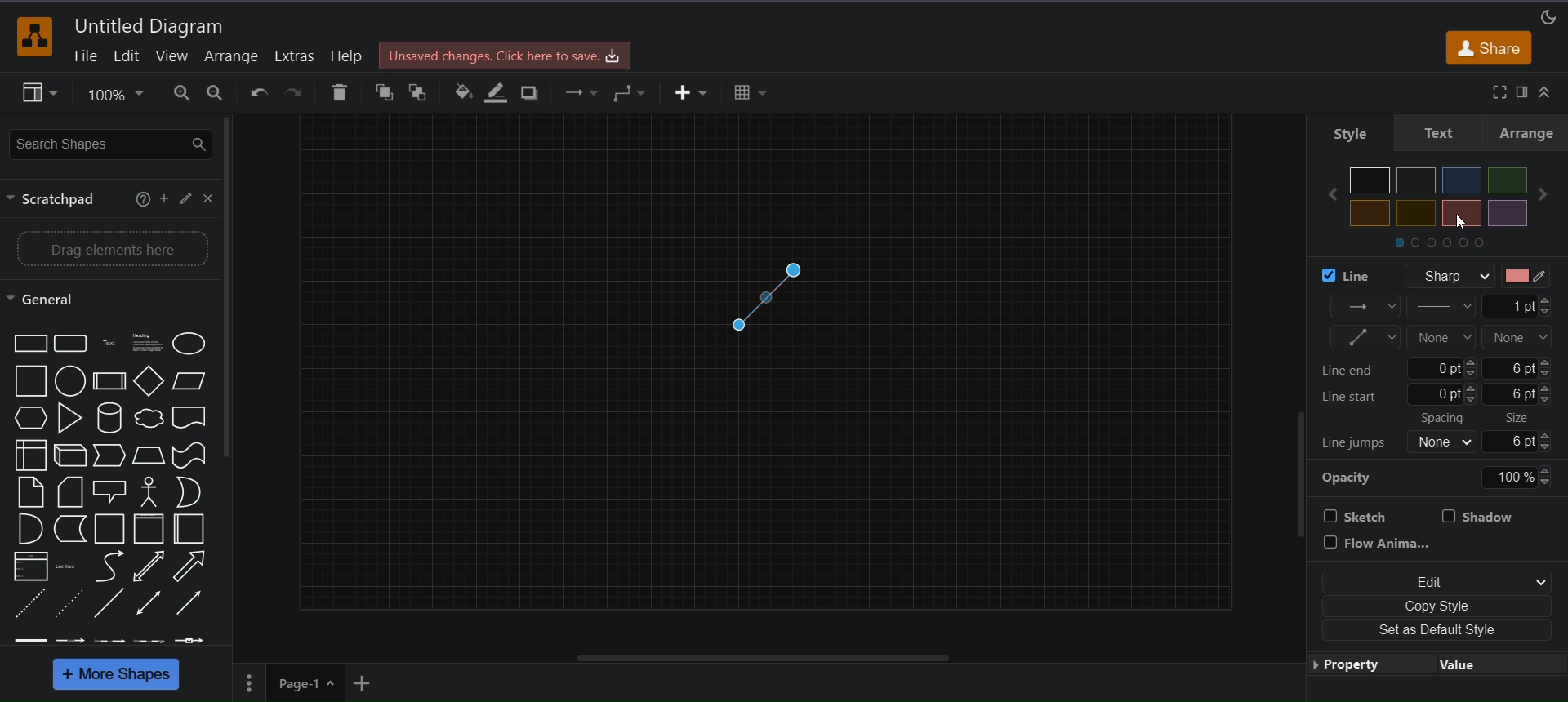 Image resolution: width=1568 pixels, height=702 pixels. Describe the element at coordinates (346, 55) in the screenshot. I see `help` at that location.